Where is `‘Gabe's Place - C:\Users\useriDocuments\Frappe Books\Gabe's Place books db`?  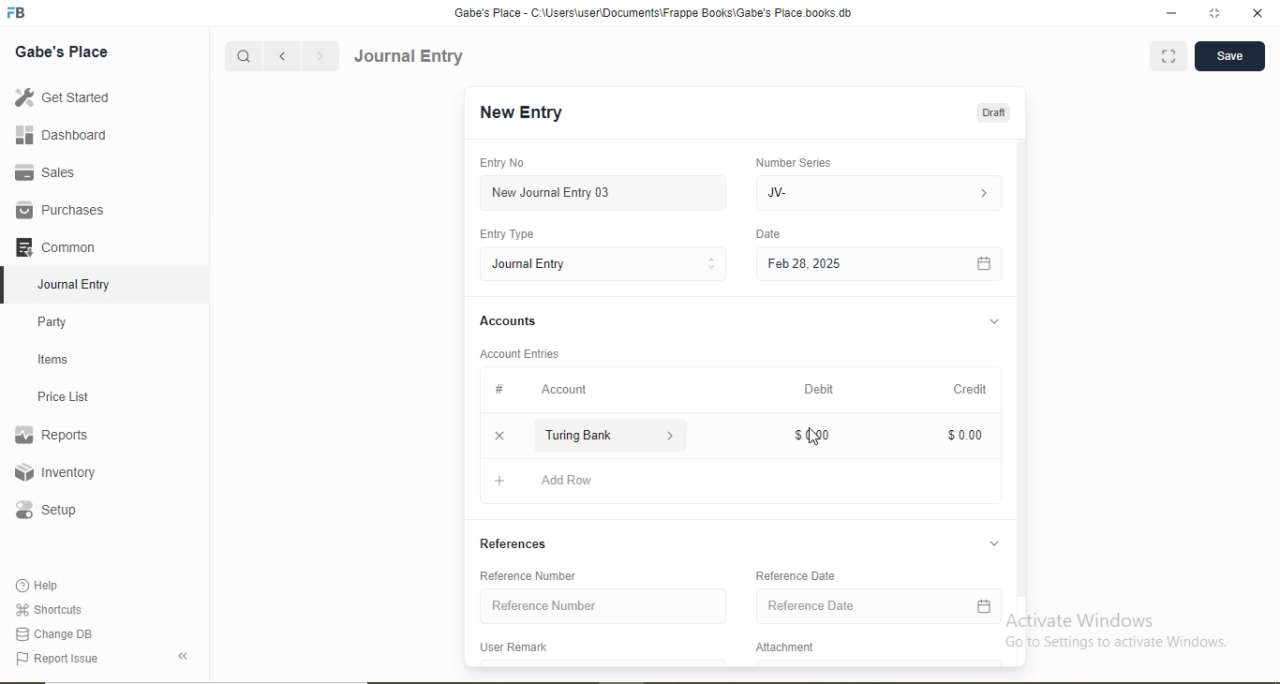 ‘Gabe's Place - C:\Users\useriDocuments\Frappe Books\Gabe's Place books db is located at coordinates (652, 13).